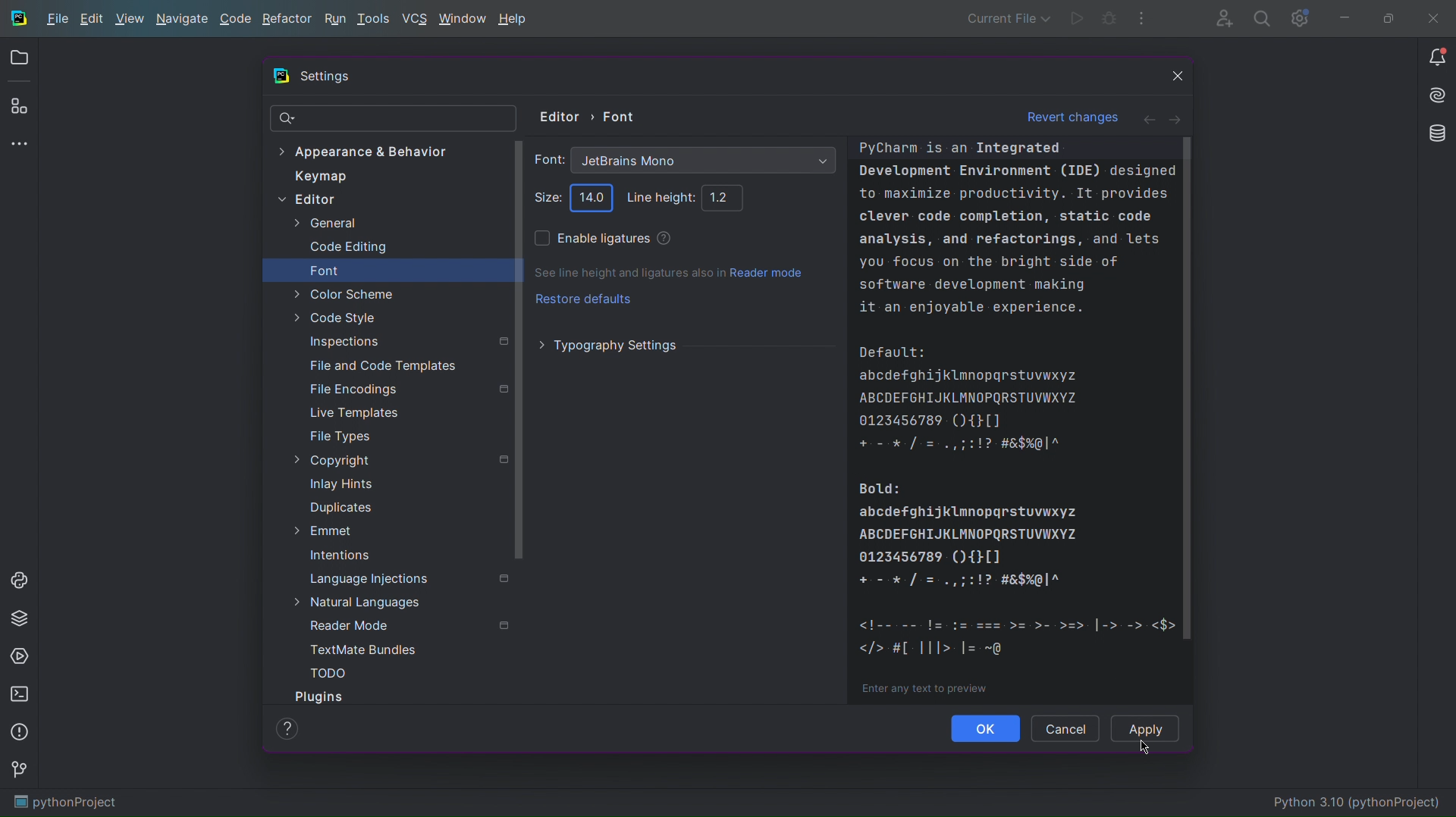  Describe the element at coordinates (19, 60) in the screenshot. I see `Open` at that location.